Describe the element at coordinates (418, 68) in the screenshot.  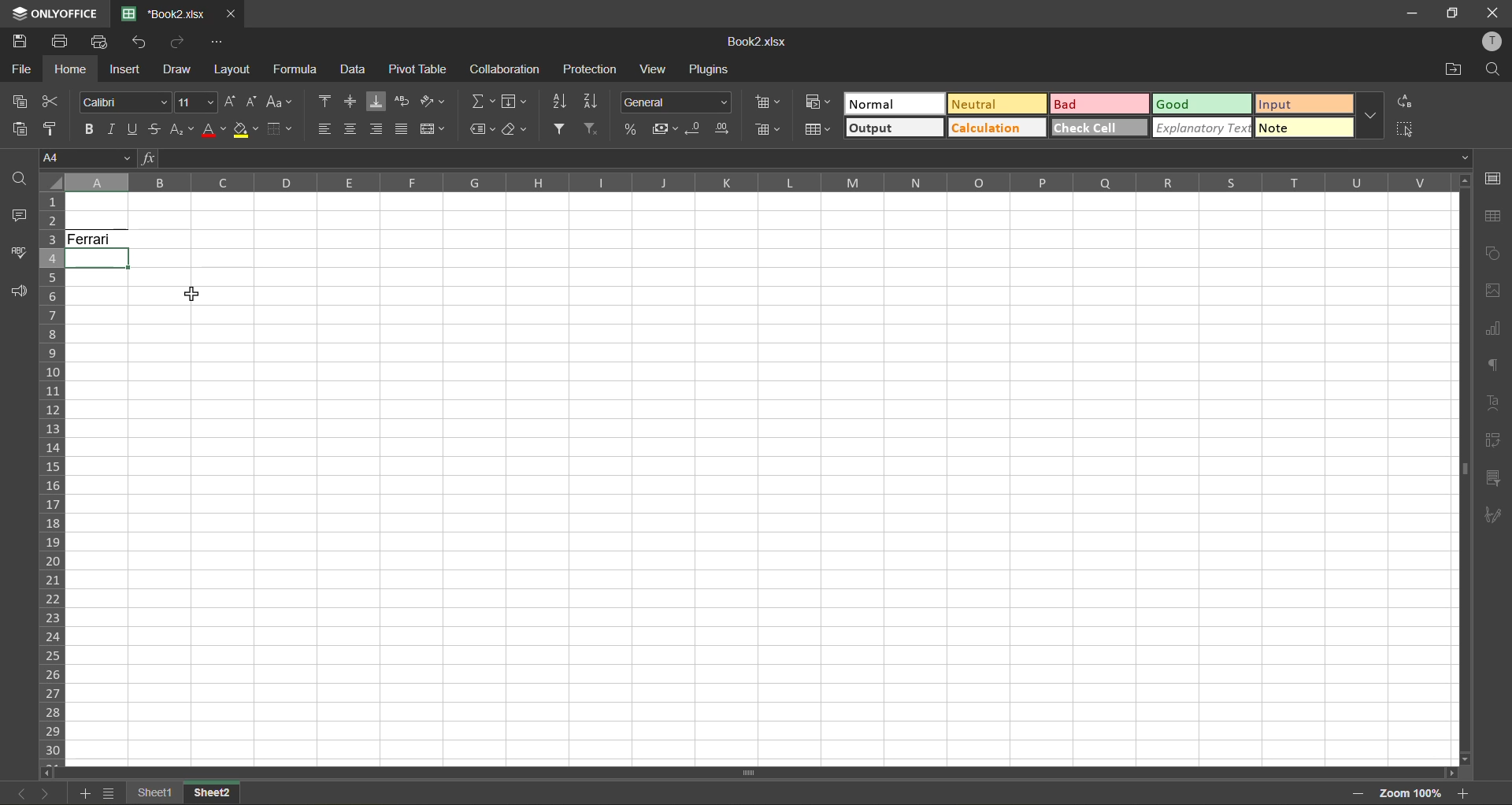
I see `pivot table` at that location.